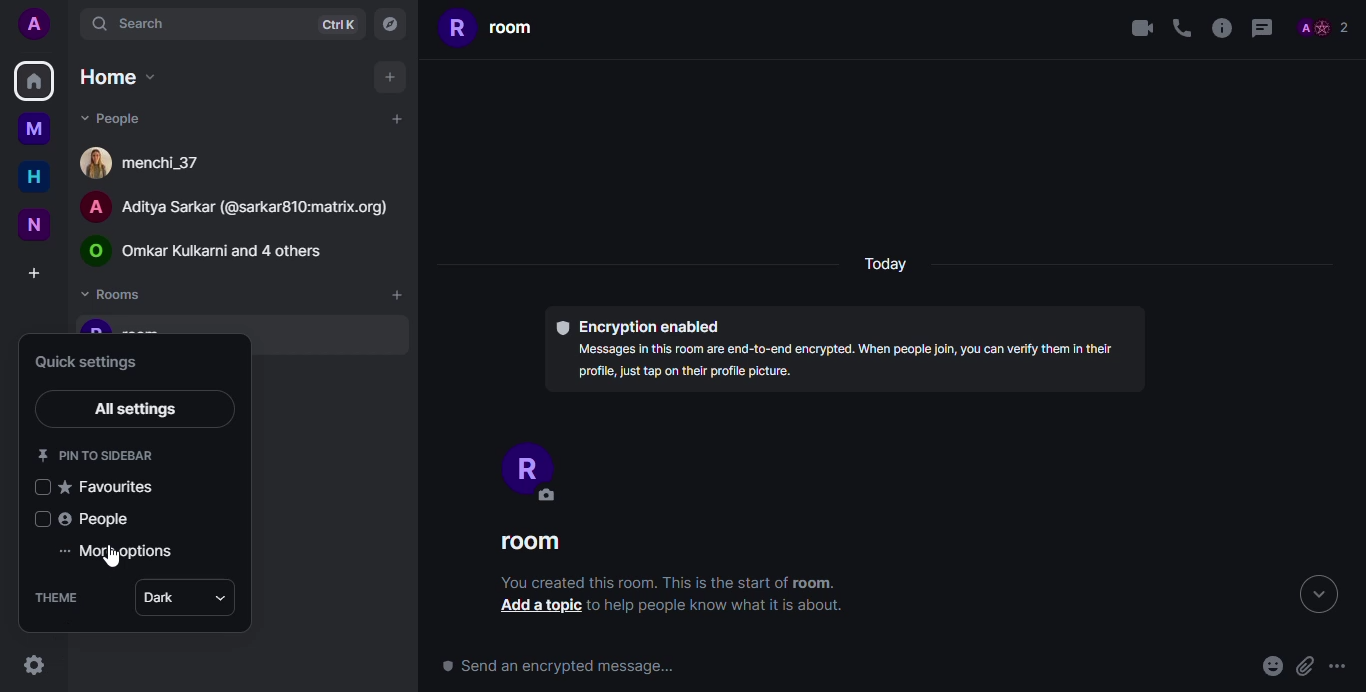  I want to click on people dropdown, so click(113, 119).